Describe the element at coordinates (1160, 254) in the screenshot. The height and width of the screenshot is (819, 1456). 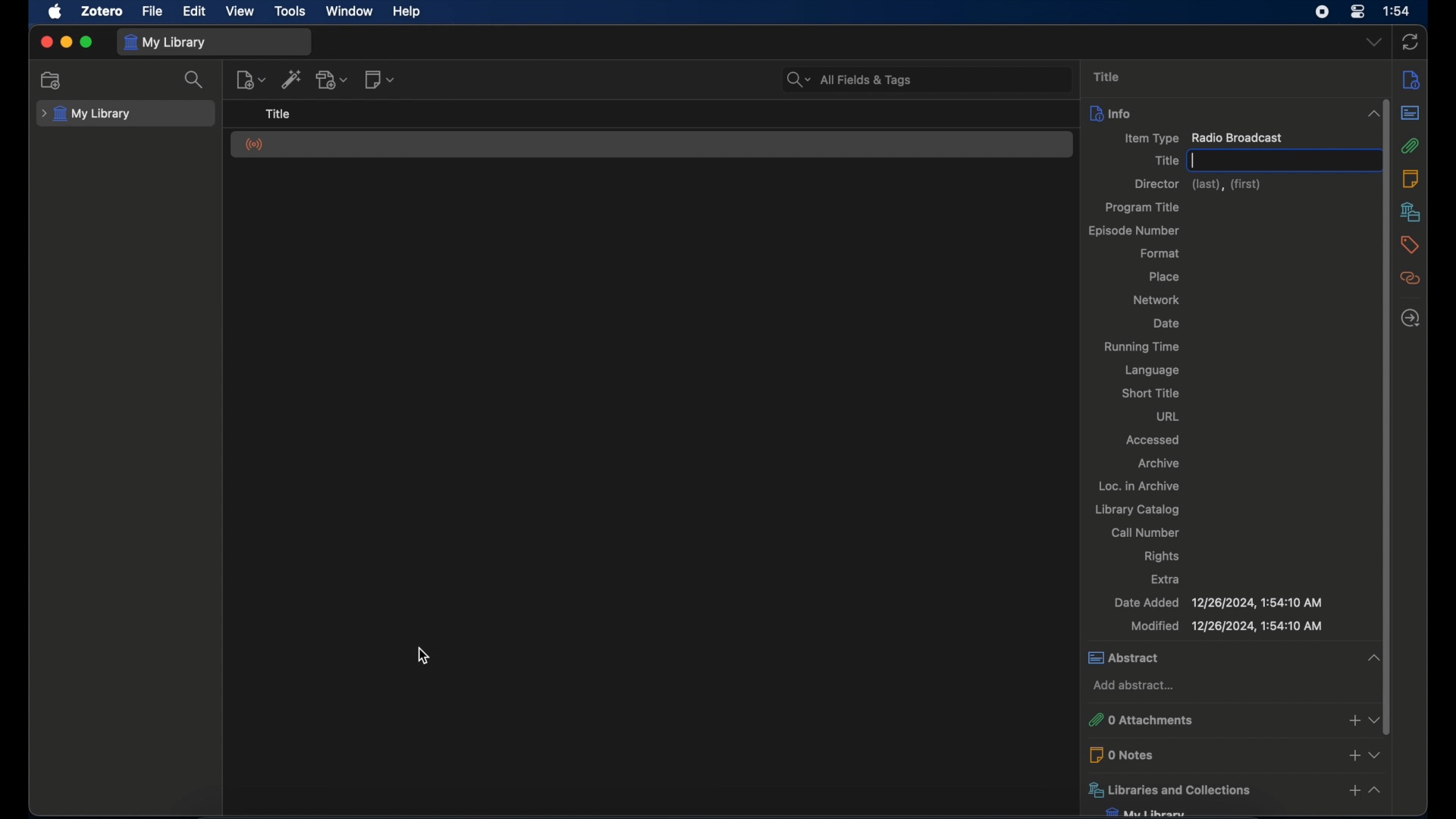
I see `format` at that location.